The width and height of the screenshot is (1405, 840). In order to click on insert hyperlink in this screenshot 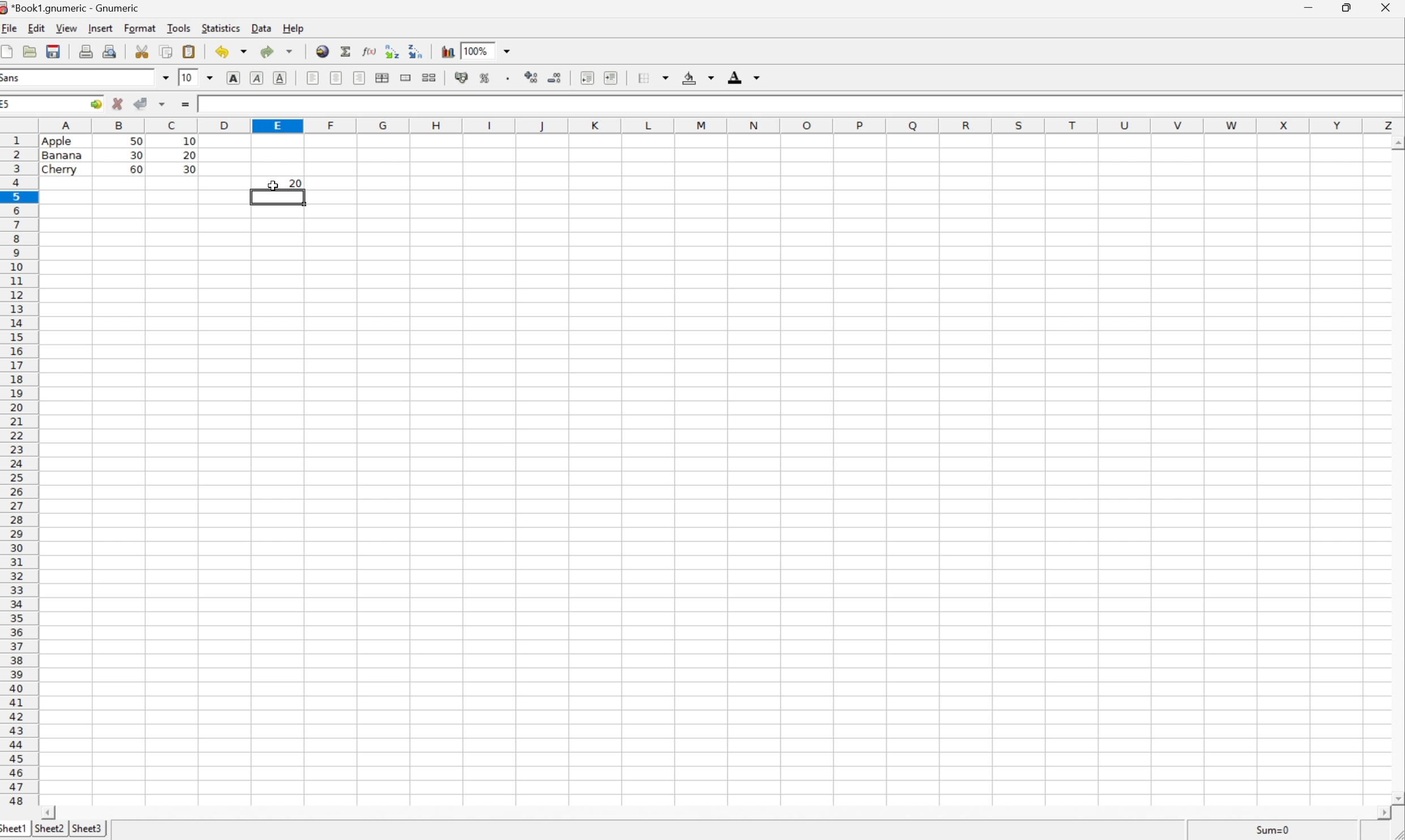, I will do `click(322, 51)`.